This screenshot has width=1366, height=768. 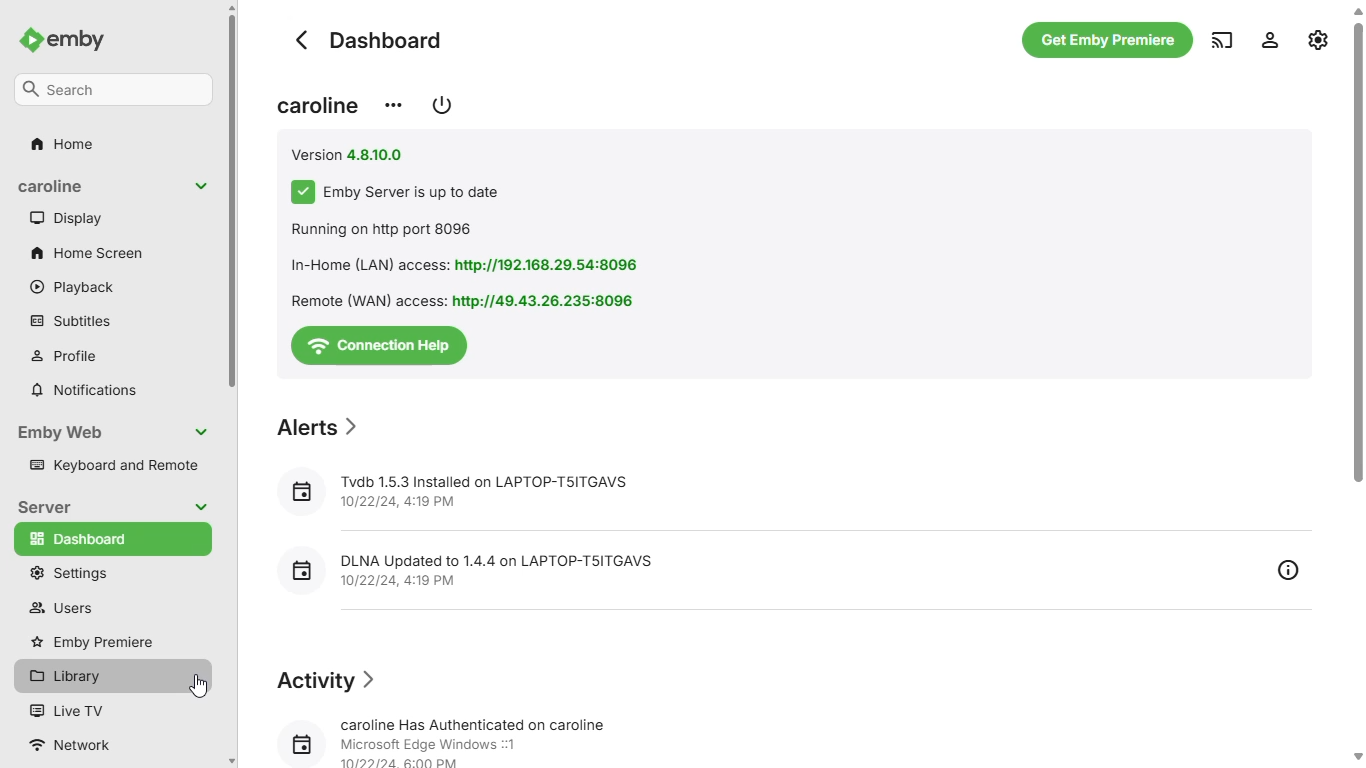 What do you see at coordinates (198, 687) in the screenshot?
I see `cursor` at bounding box center [198, 687].